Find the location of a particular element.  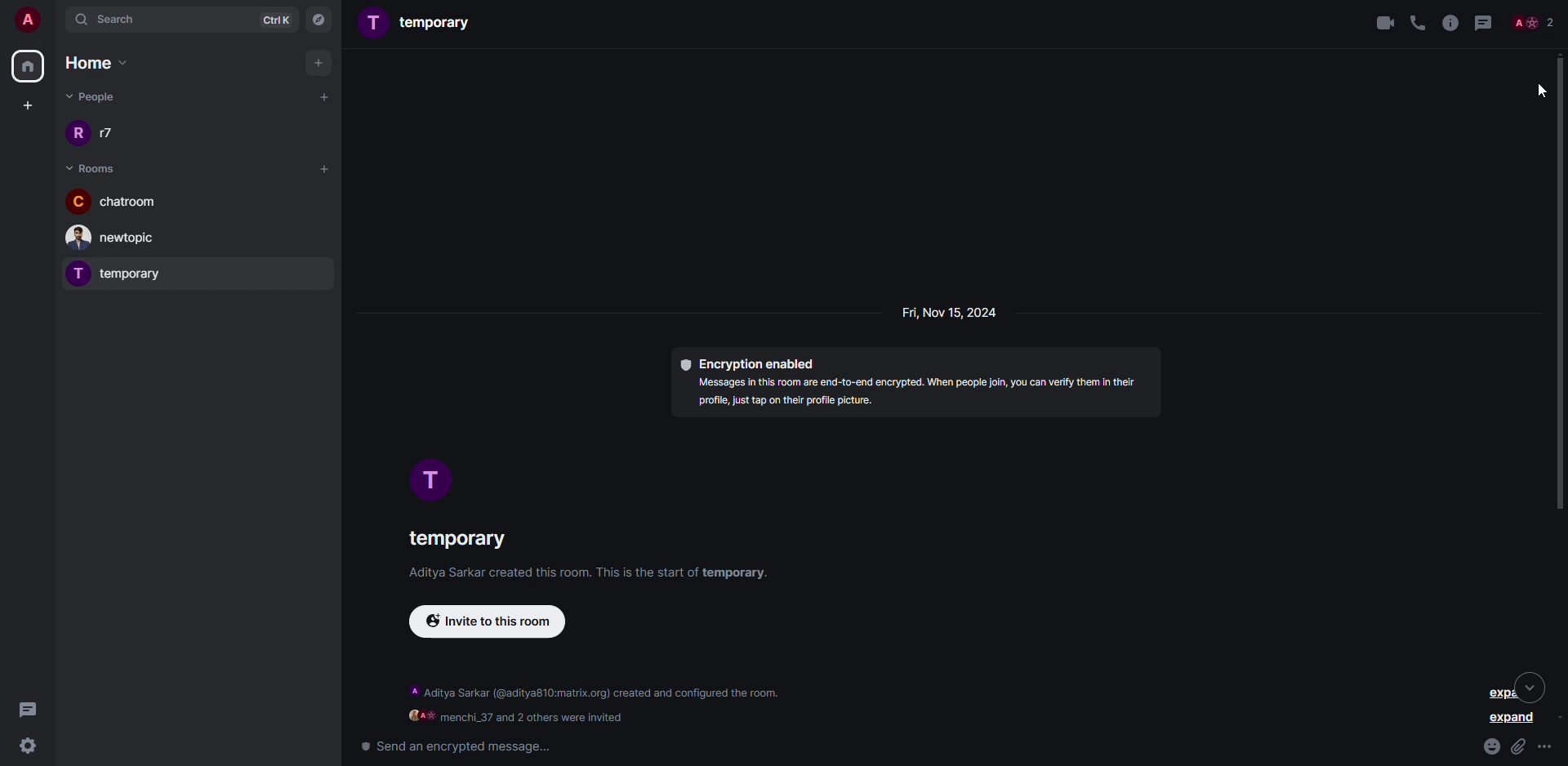

temporary is located at coordinates (422, 24).